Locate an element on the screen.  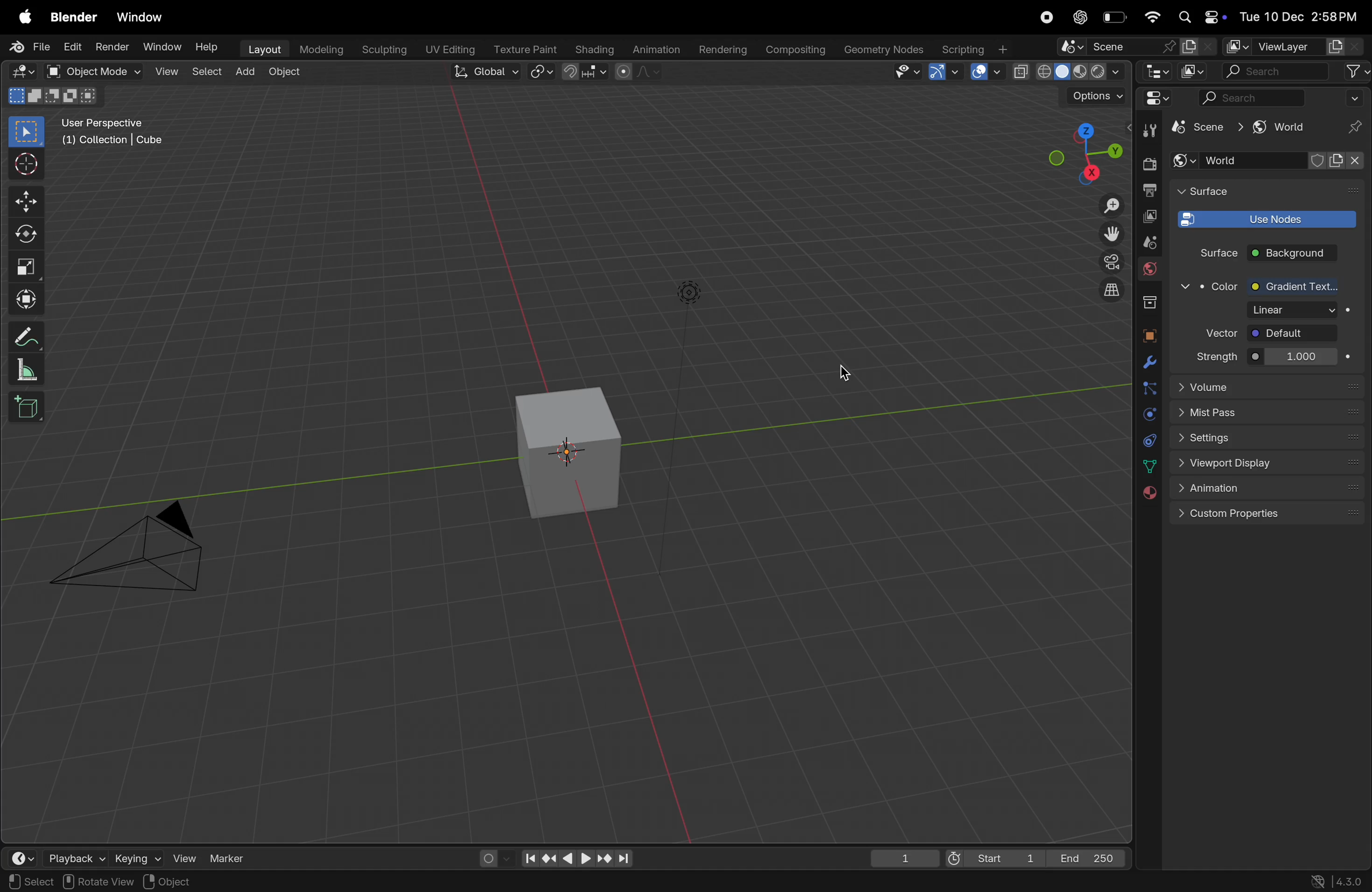
scale is located at coordinates (28, 266).